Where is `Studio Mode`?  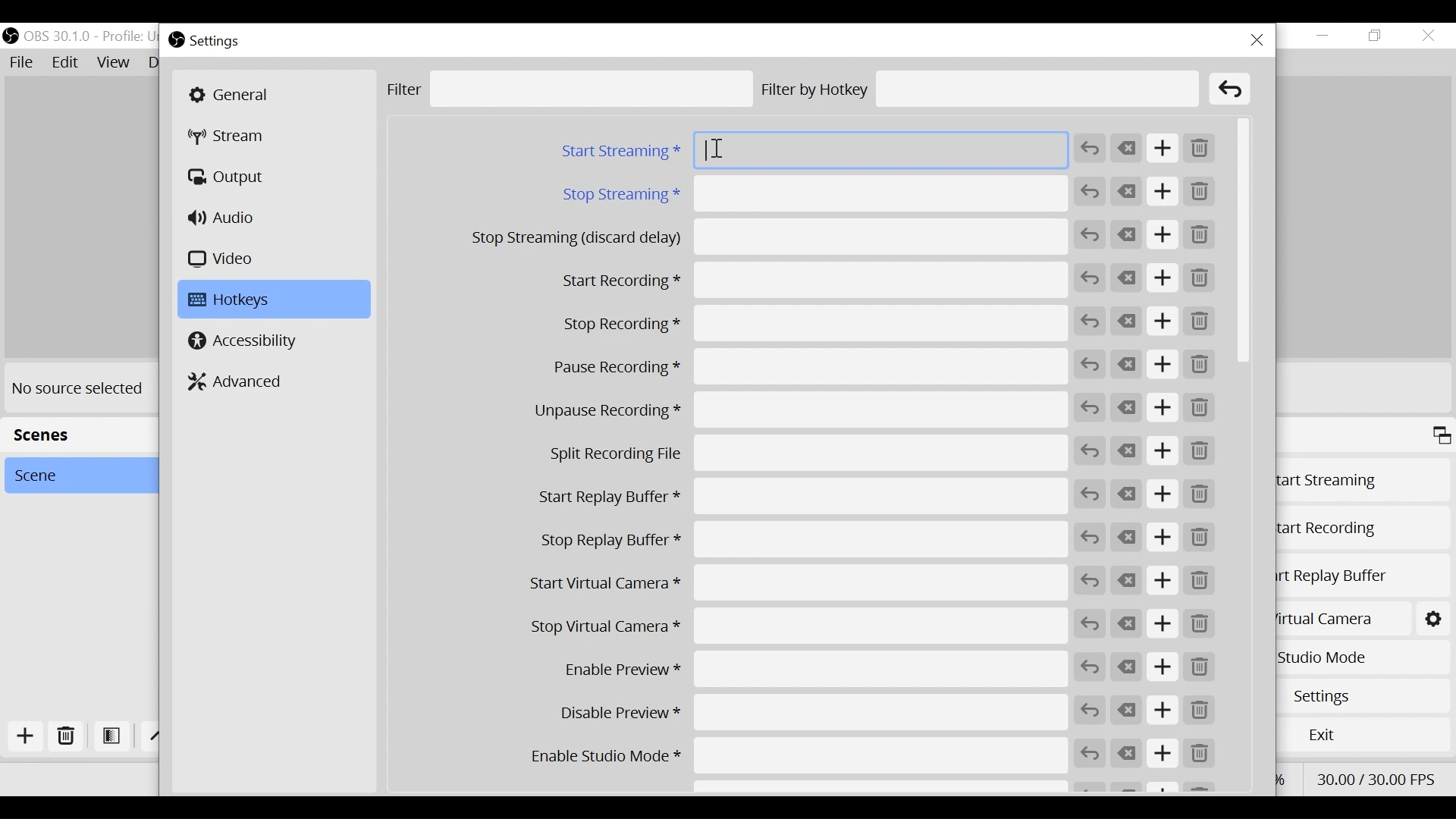
Studio Mode is located at coordinates (1362, 657).